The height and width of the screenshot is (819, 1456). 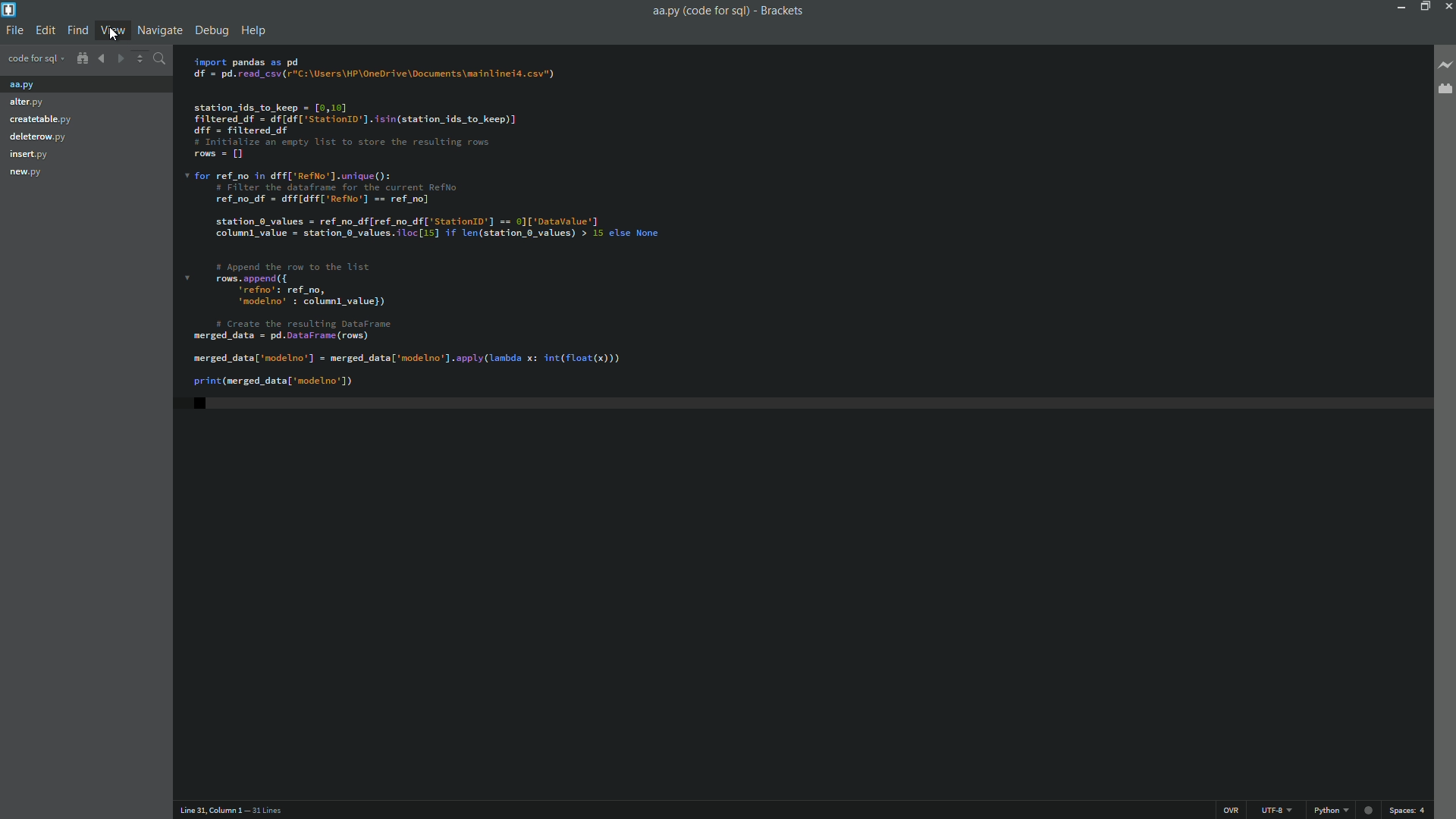 I want to click on navigation menu, so click(x=160, y=30).